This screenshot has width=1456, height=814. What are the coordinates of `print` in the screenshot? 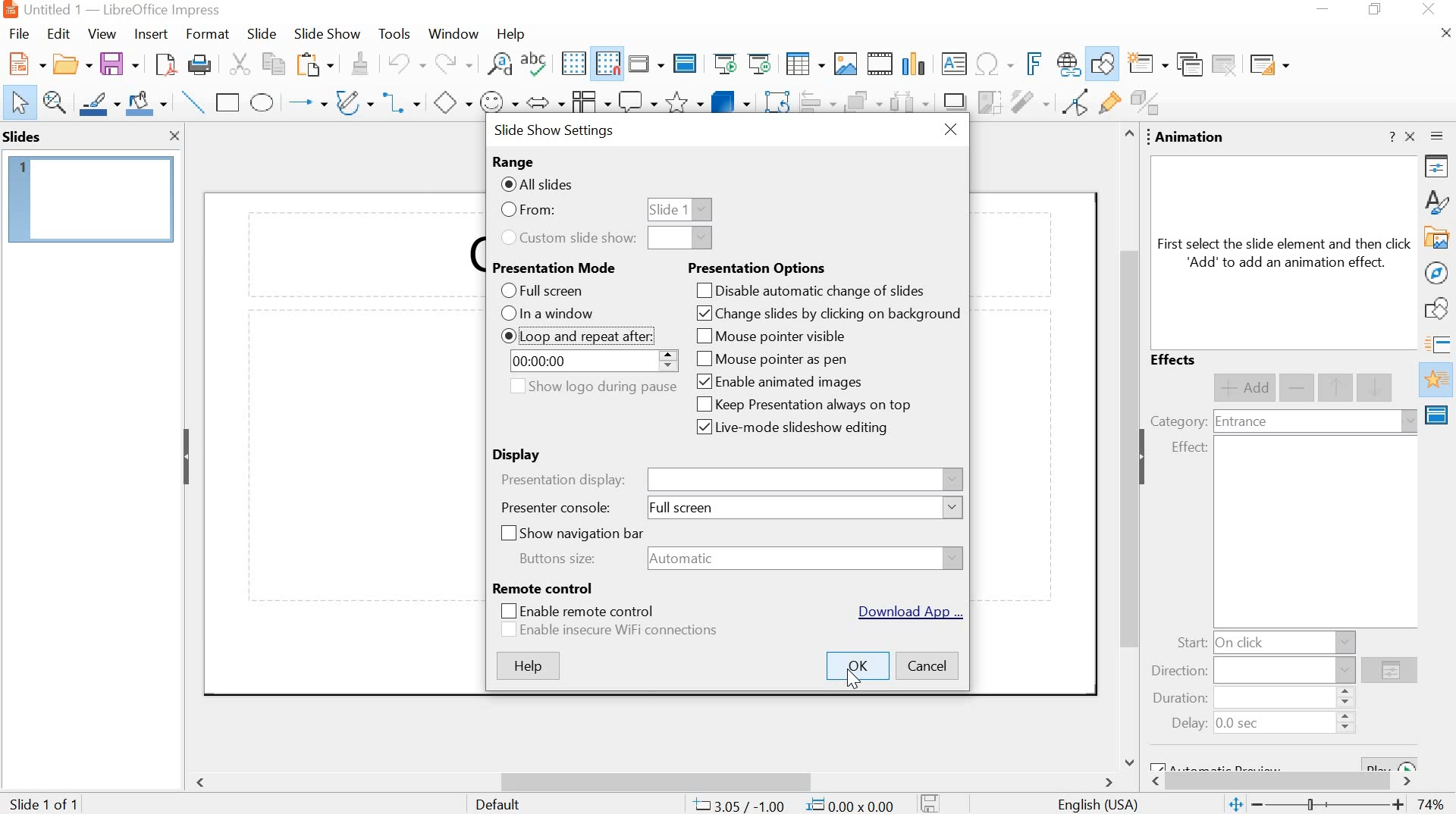 It's located at (199, 67).